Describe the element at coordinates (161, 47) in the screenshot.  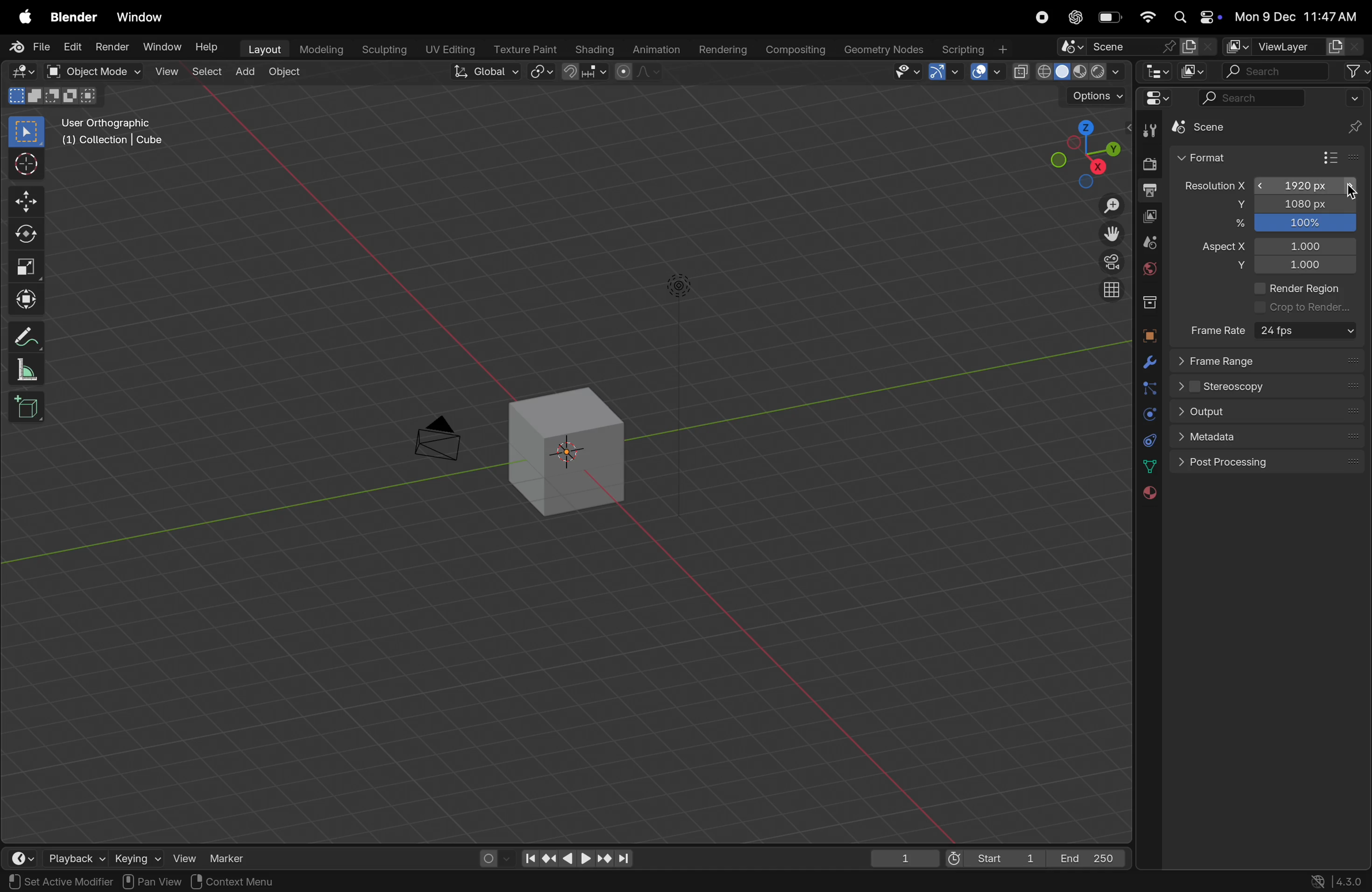
I see `Window` at that location.